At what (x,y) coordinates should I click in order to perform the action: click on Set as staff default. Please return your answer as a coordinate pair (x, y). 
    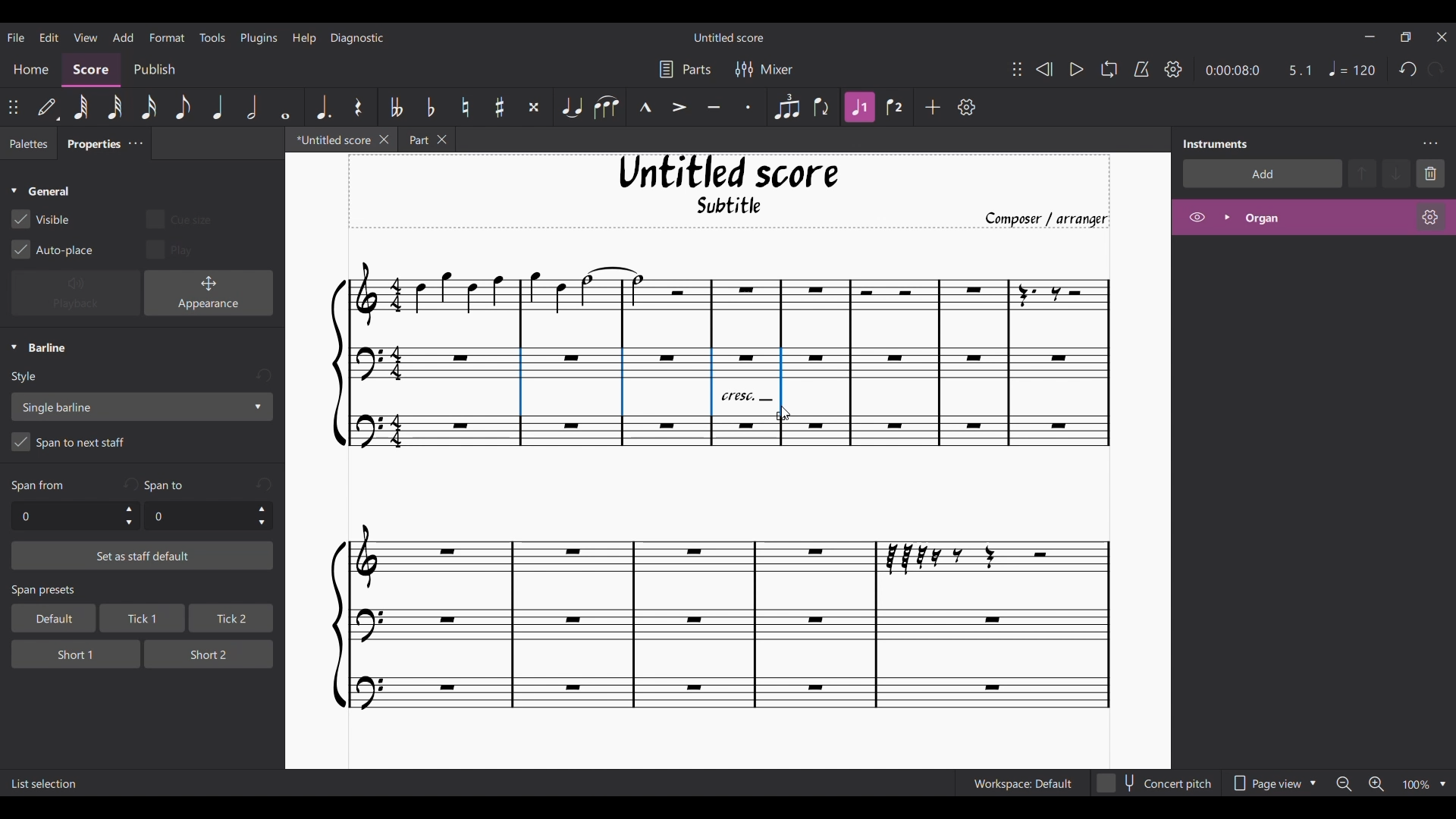
    Looking at the image, I should click on (143, 556).